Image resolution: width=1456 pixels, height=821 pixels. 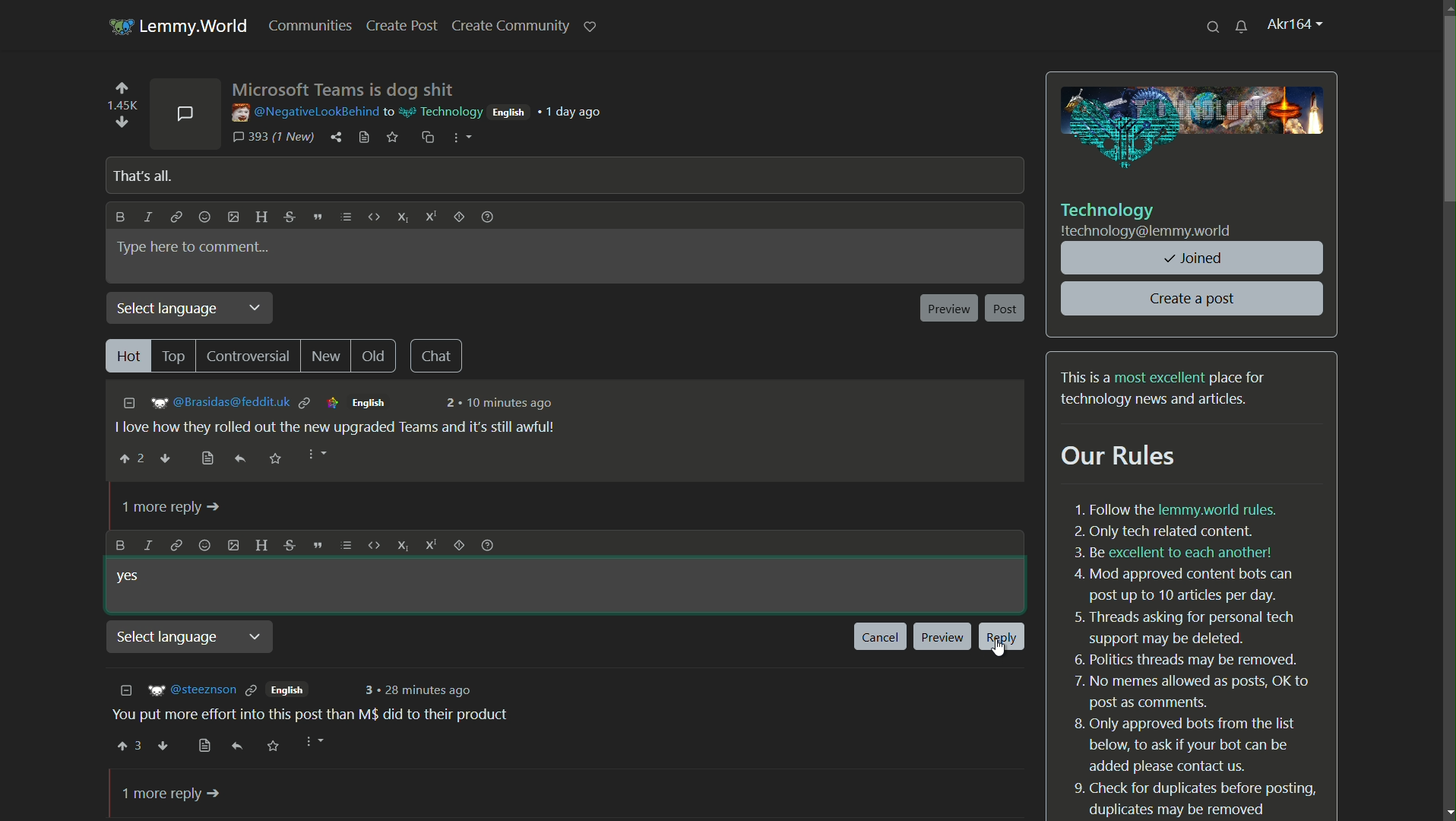 I want to click on controversial, so click(x=249, y=357).